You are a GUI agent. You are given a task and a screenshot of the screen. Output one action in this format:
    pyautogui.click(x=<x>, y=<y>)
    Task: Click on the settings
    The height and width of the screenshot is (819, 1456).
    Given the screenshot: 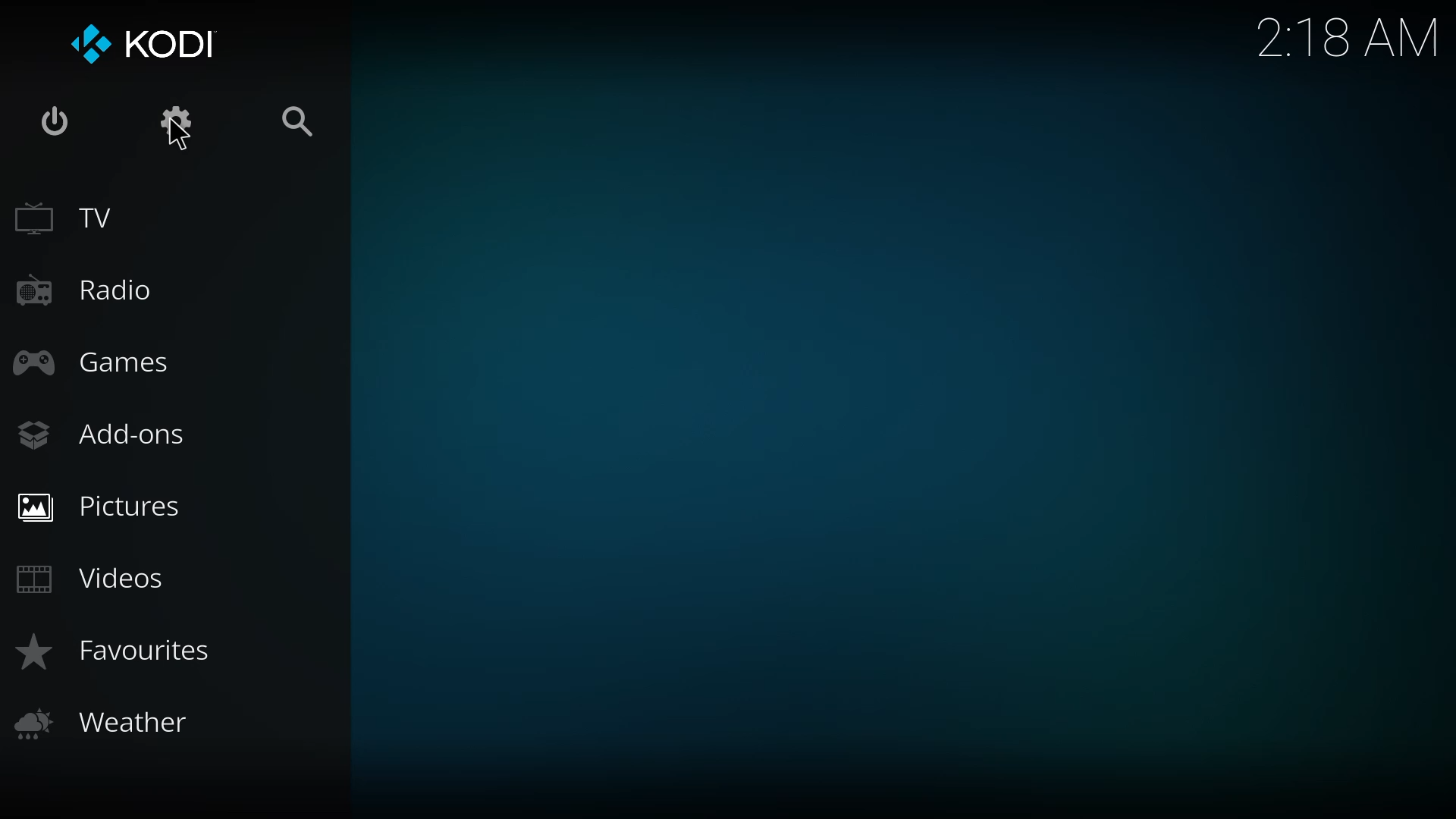 What is the action you would take?
    pyautogui.click(x=177, y=119)
    